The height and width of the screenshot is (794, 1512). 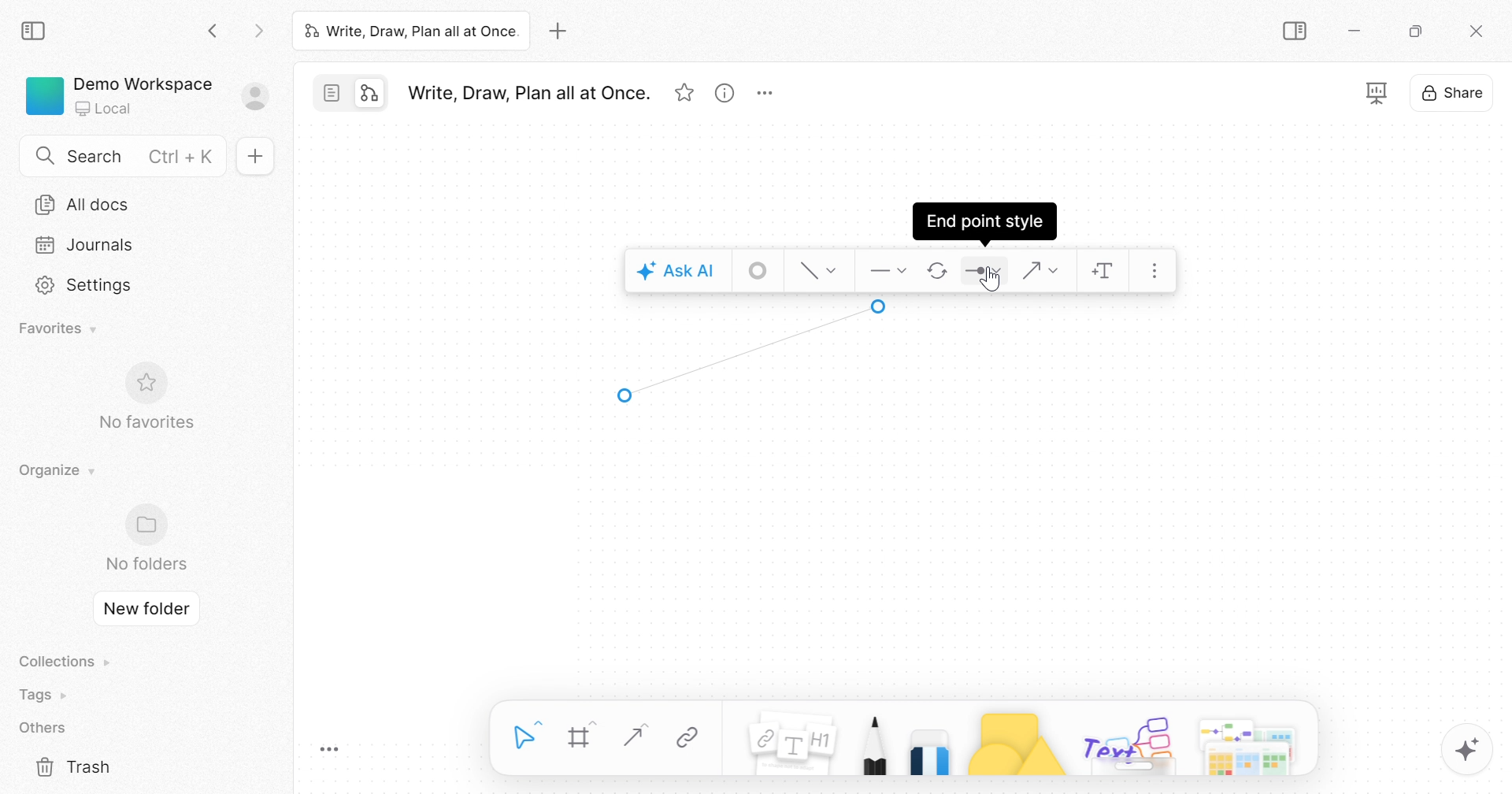 What do you see at coordinates (144, 422) in the screenshot?
I see `No favorites` at bounding box center [144, 422].